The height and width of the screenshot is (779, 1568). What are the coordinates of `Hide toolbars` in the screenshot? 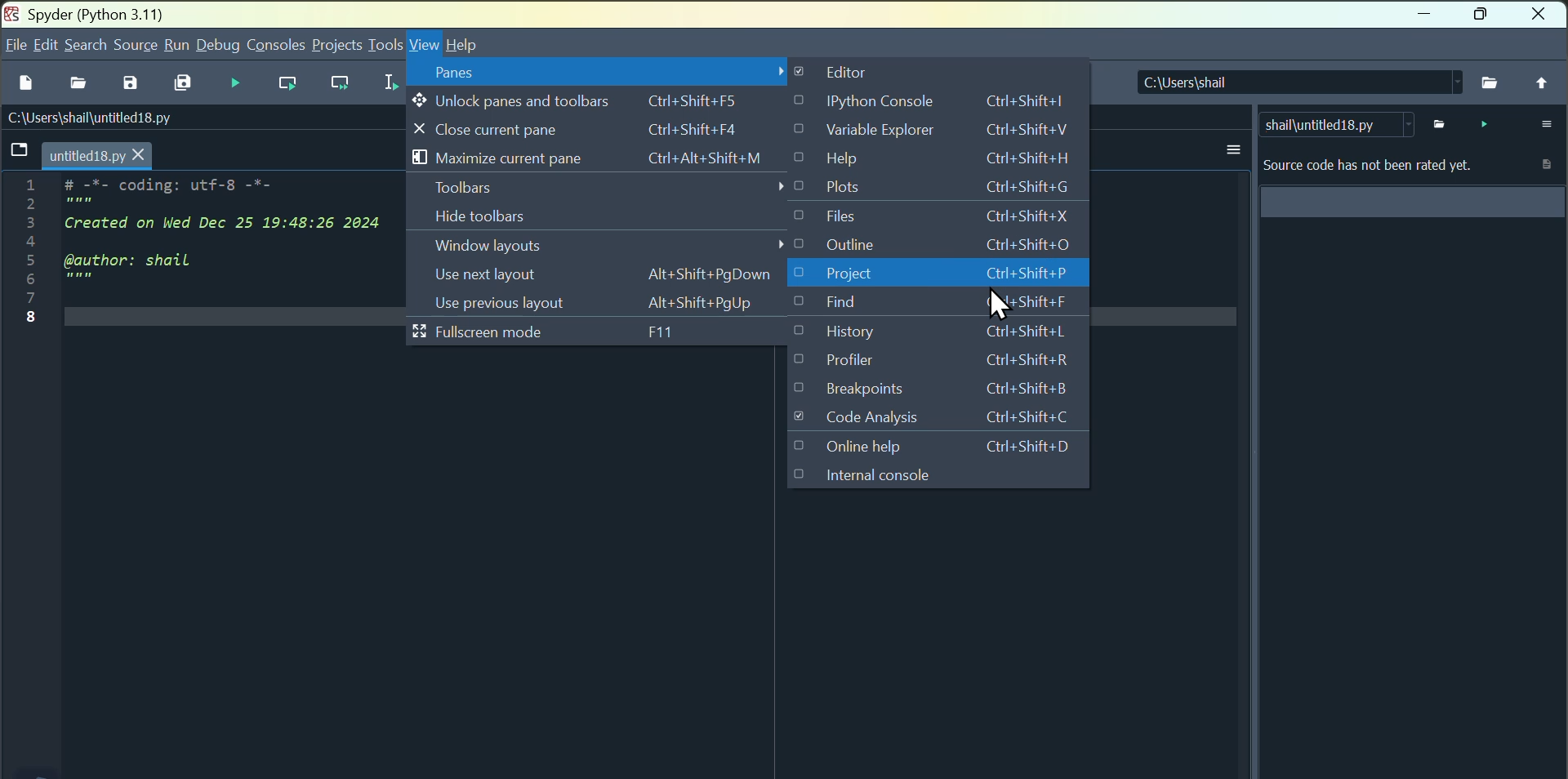 It's located at (548, 216).